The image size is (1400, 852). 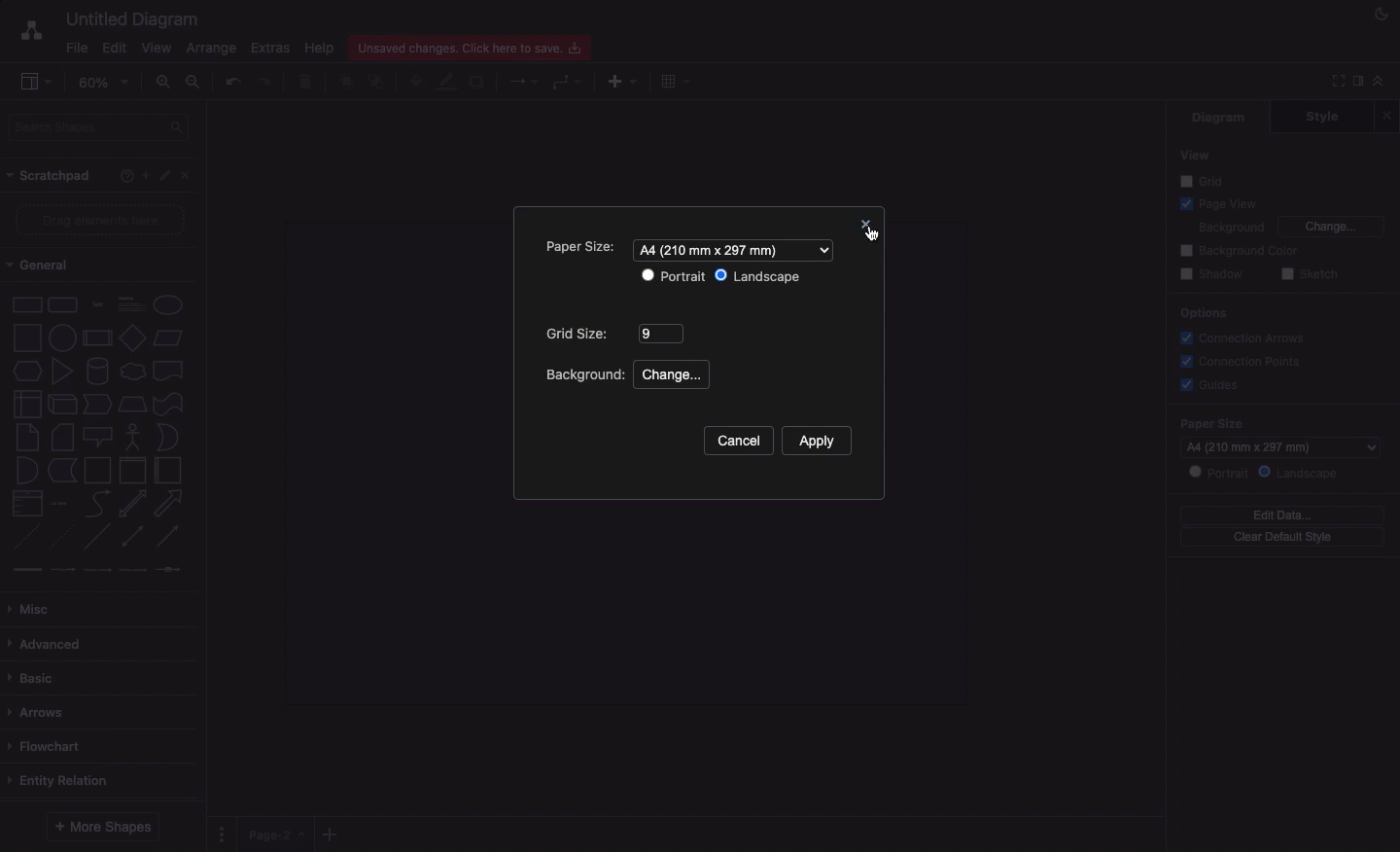 What do you see at coordinates (115, 47) in the screenshot?
I see `Edit` at bounding box center [115, 47].